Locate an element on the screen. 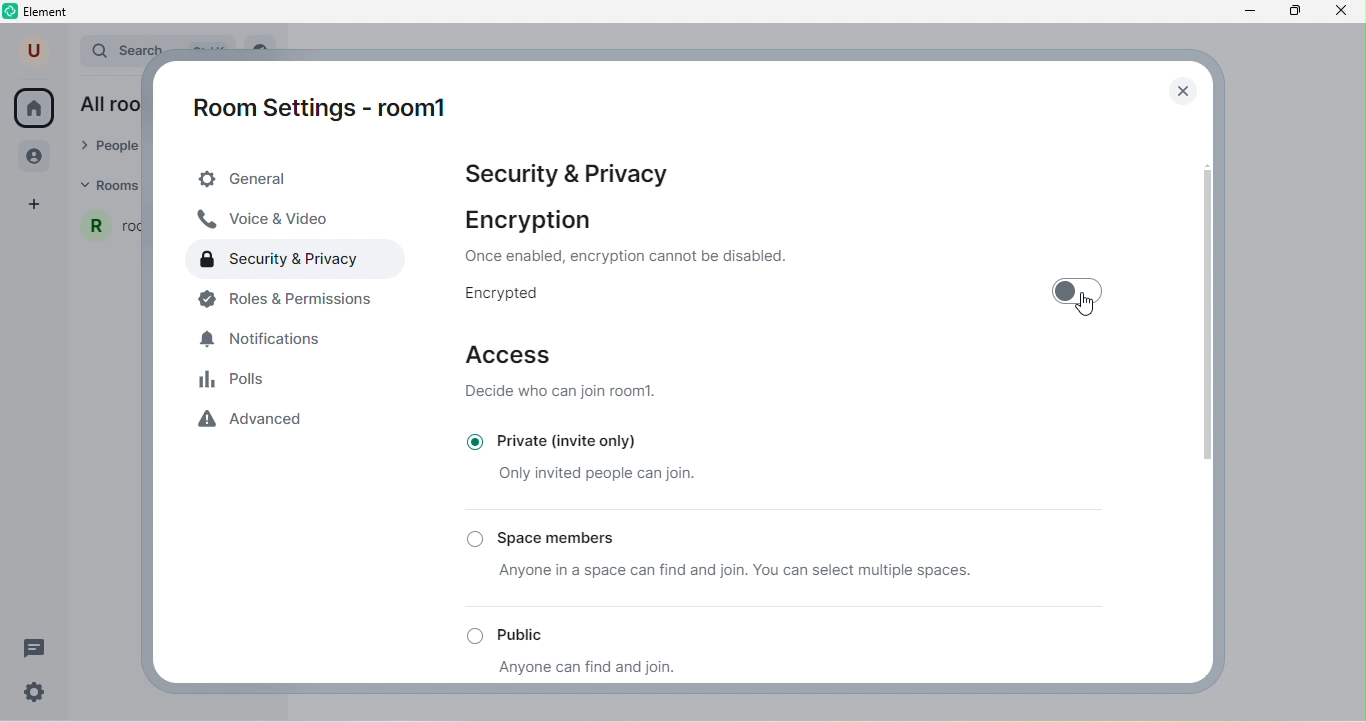  security and privacy is located at coordinates (285, 262).